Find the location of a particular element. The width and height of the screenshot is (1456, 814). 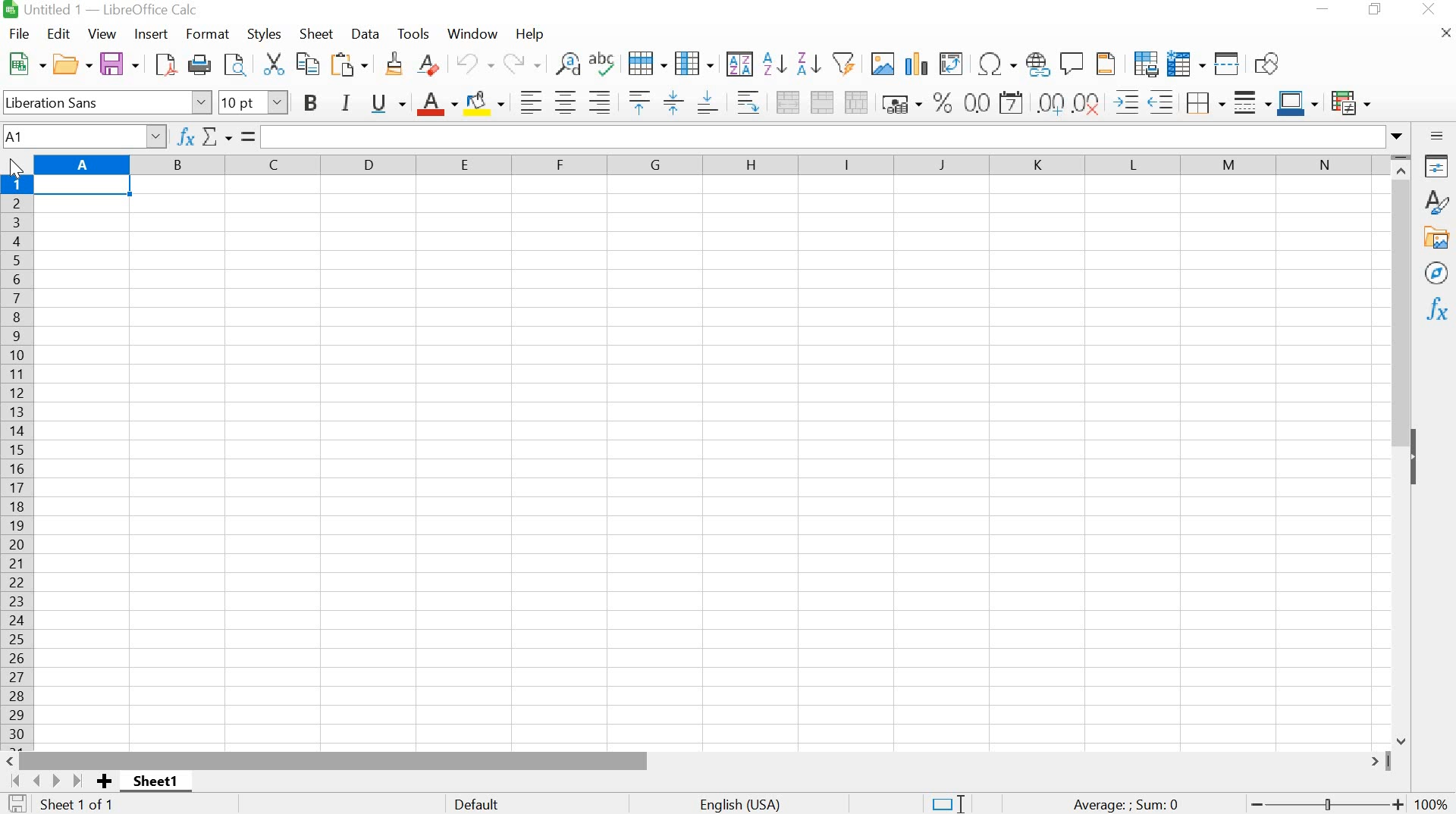

CLOSE DOCUMENT is located at coordinates (1443, 36).